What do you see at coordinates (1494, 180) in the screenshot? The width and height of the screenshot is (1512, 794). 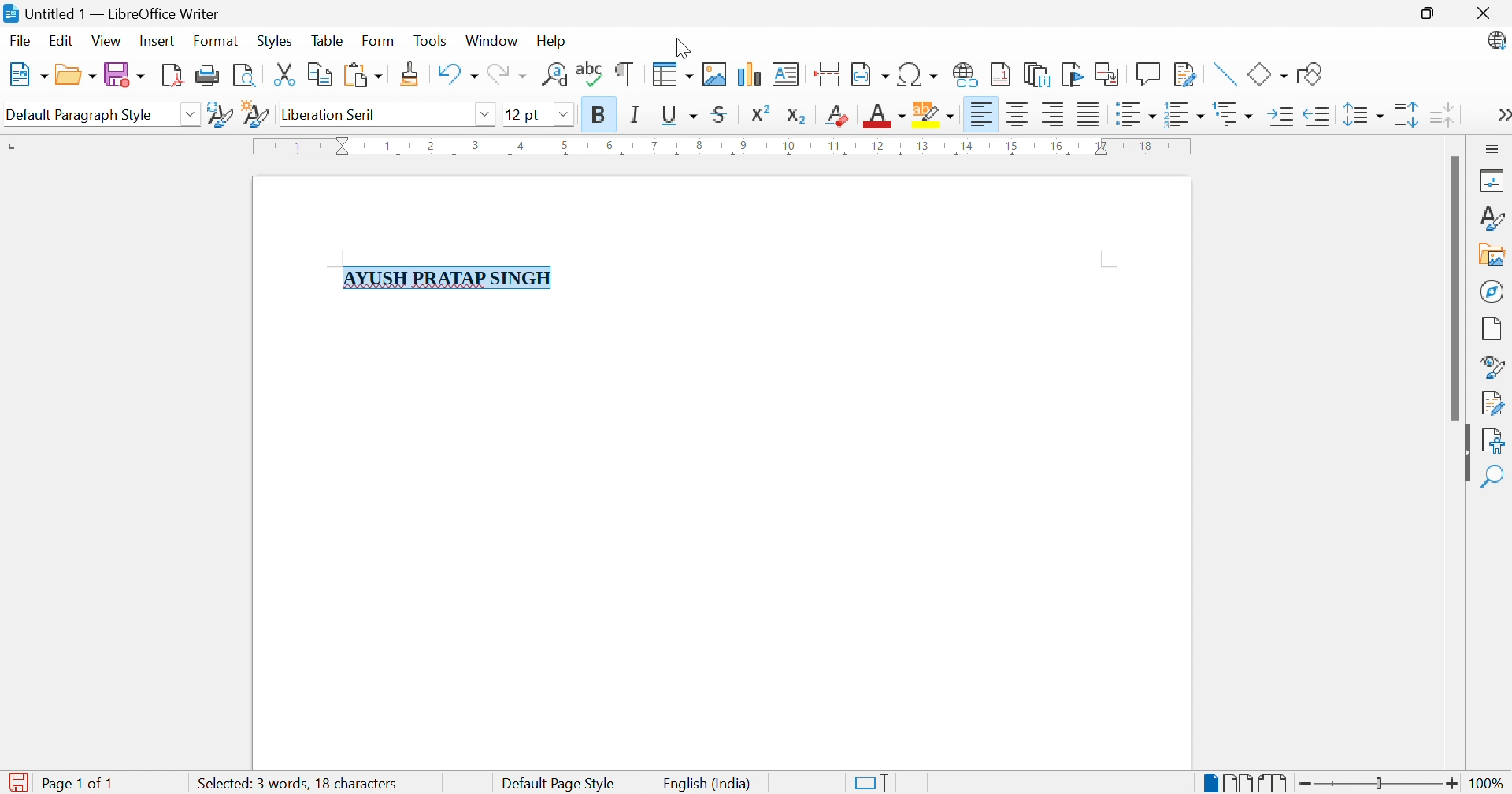 I see `Properties` at bounding box center [1494, 180].